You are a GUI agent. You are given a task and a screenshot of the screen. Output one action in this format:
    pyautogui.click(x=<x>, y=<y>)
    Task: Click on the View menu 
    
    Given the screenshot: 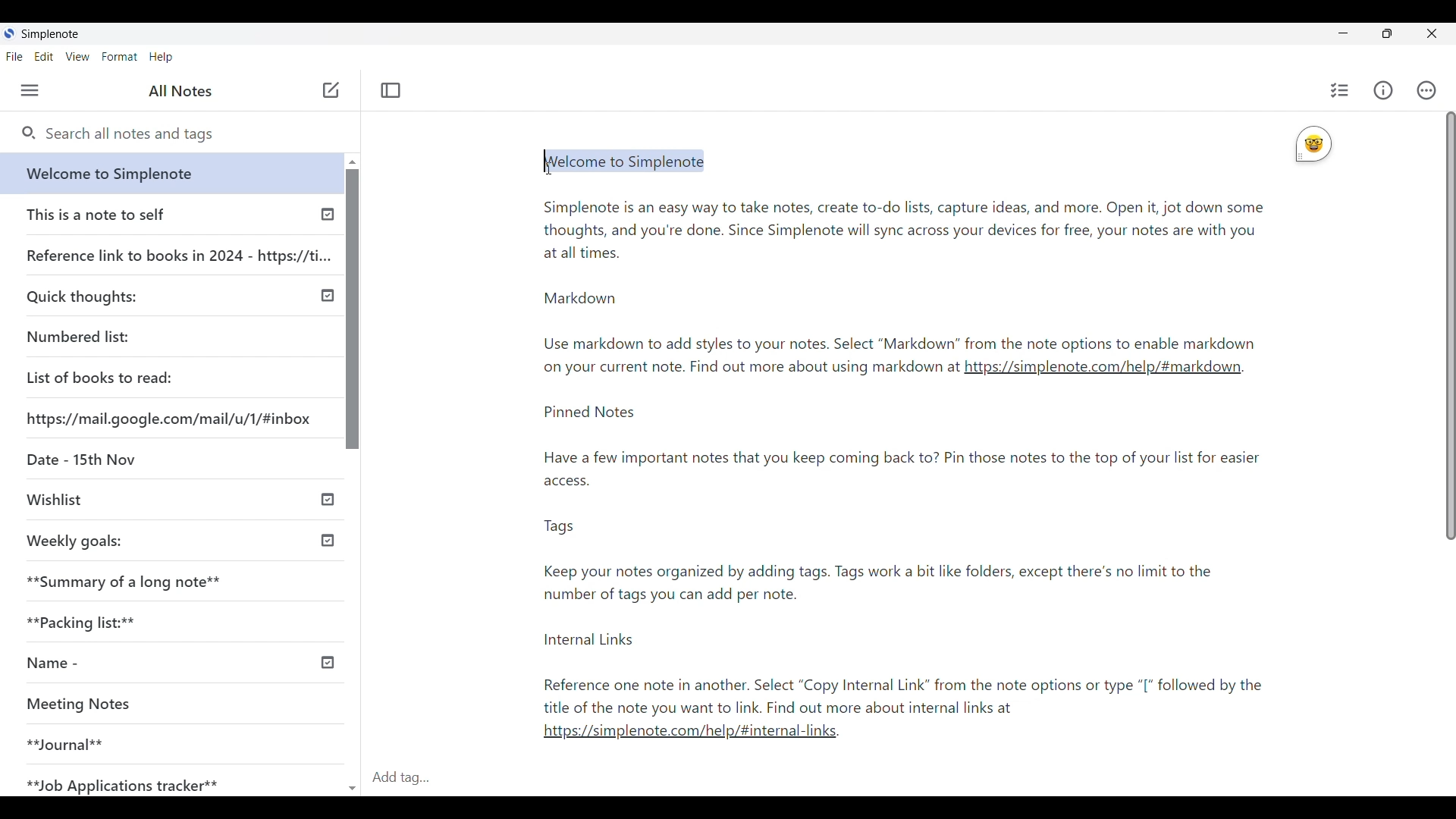 What is the action you would take?
    pyautogui.click(x=78, y=56)
    